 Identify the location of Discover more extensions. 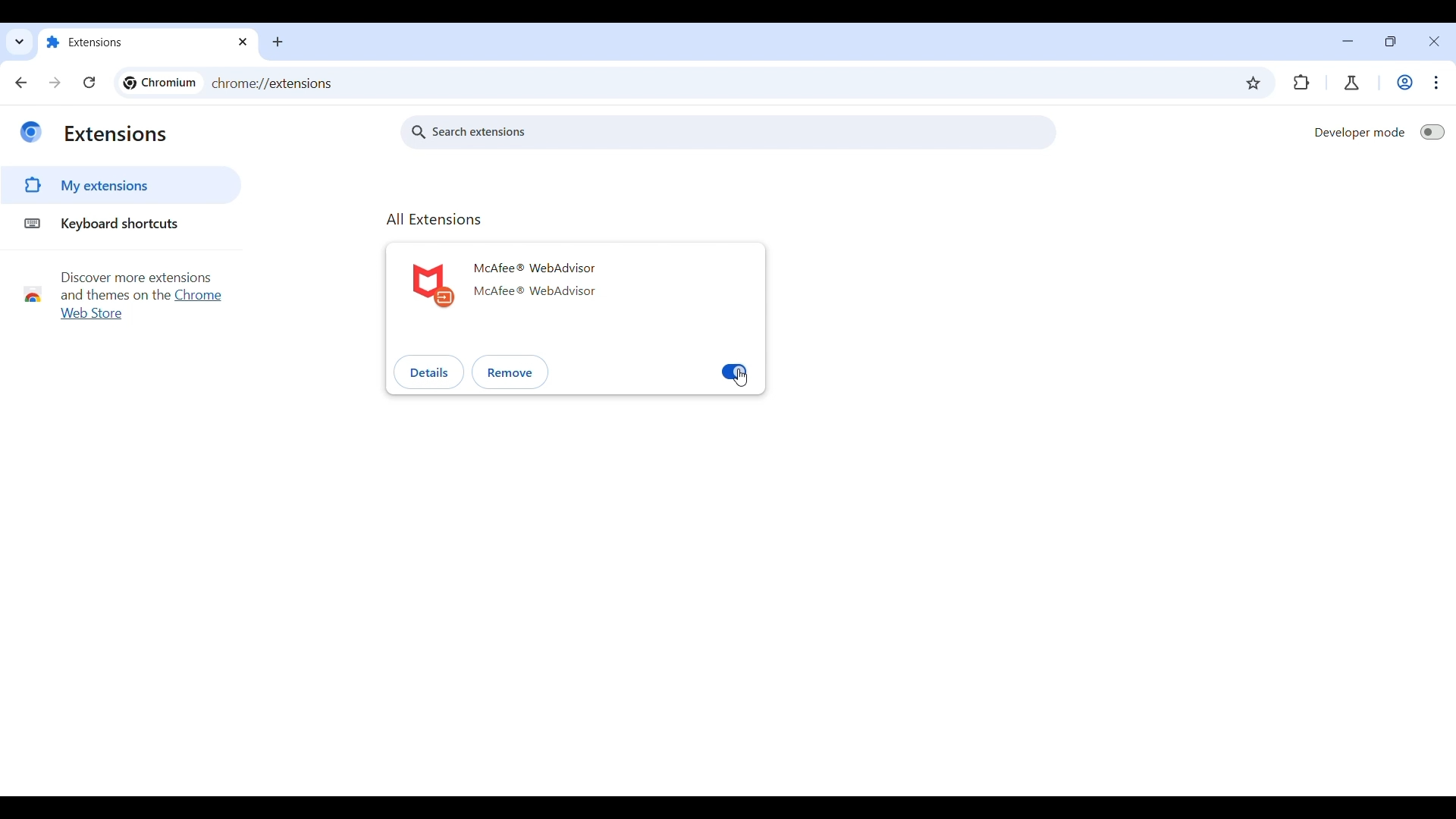
(136, 278).